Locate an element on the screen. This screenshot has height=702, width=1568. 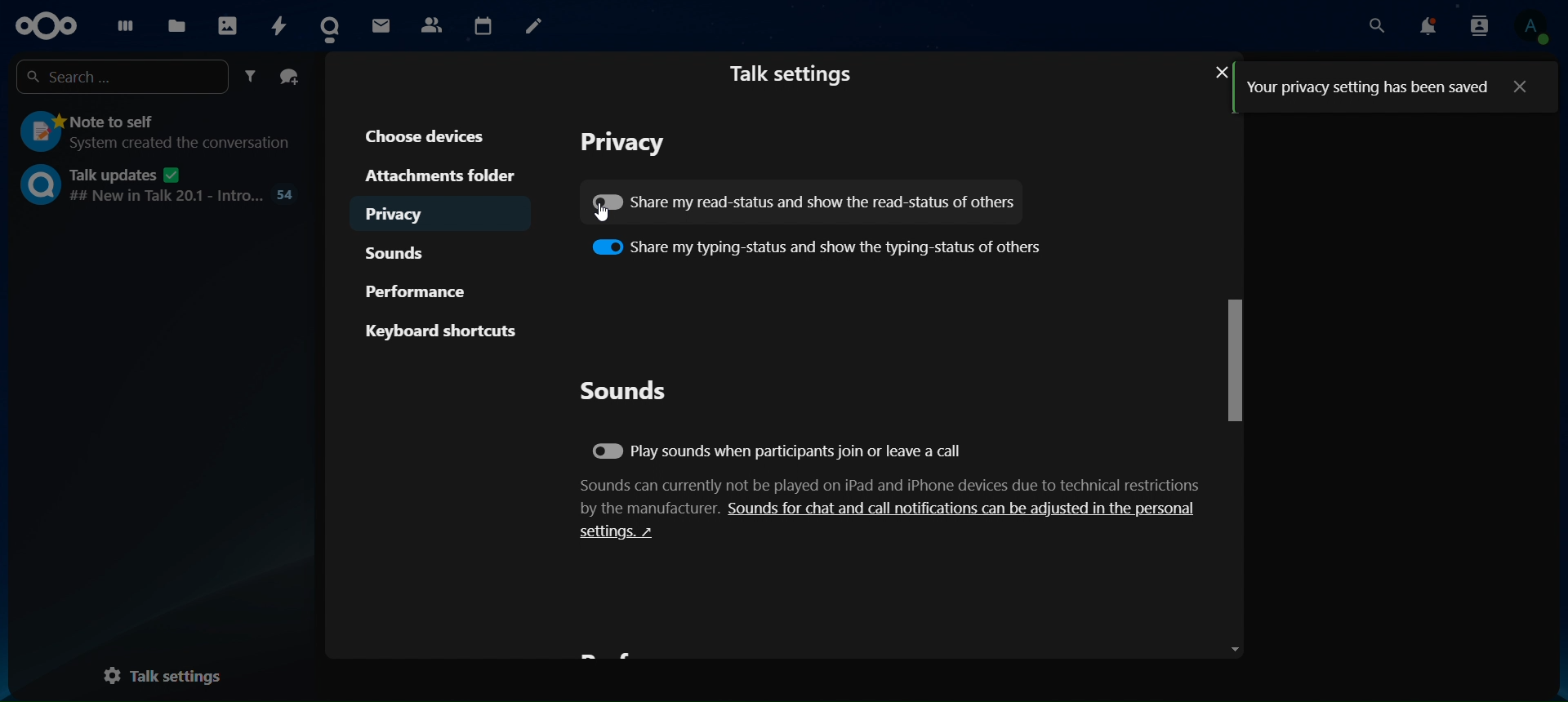
performance is located at coordinates (422, 288).